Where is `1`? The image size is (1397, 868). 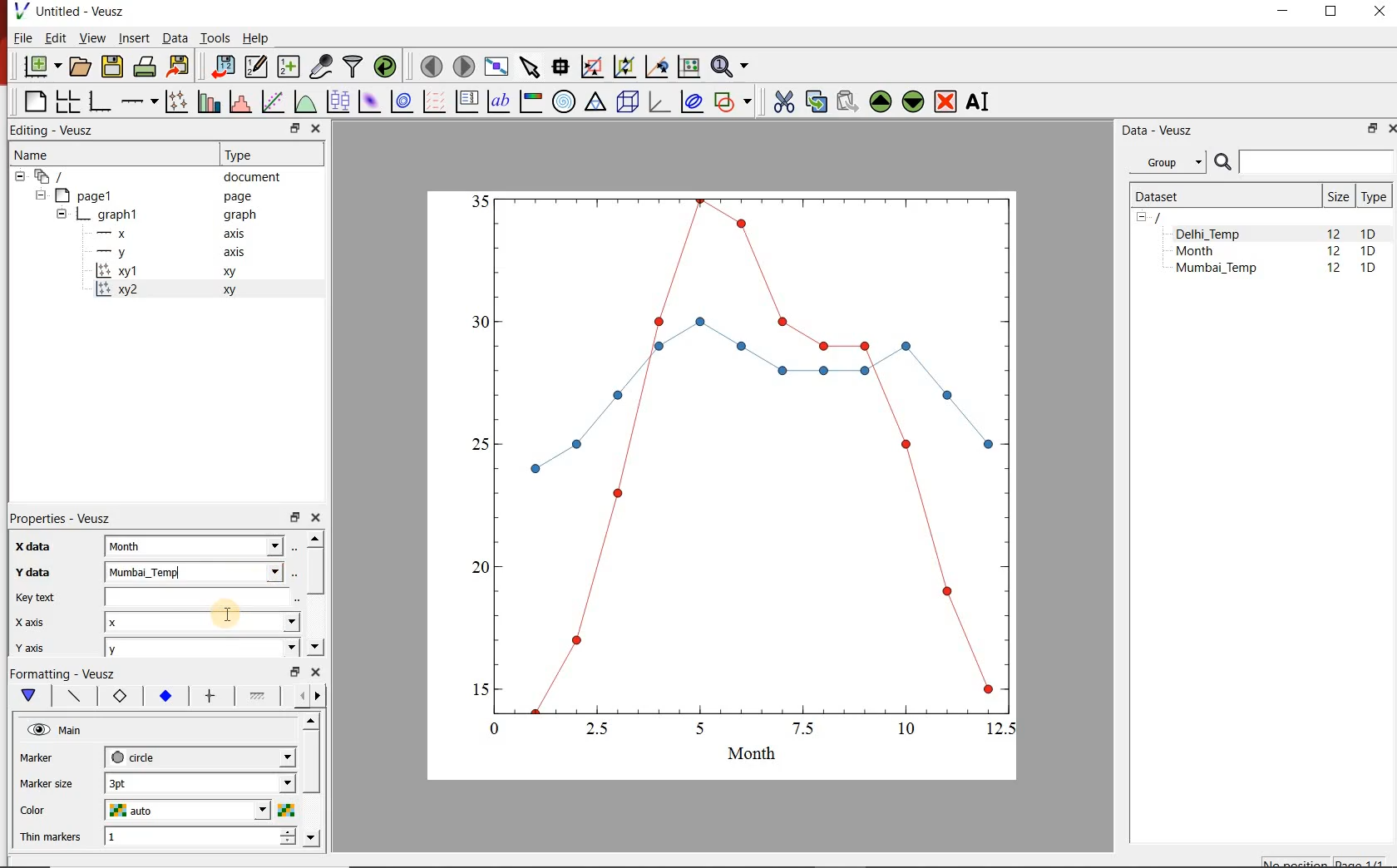
1 is located at coordinates (200, 838).